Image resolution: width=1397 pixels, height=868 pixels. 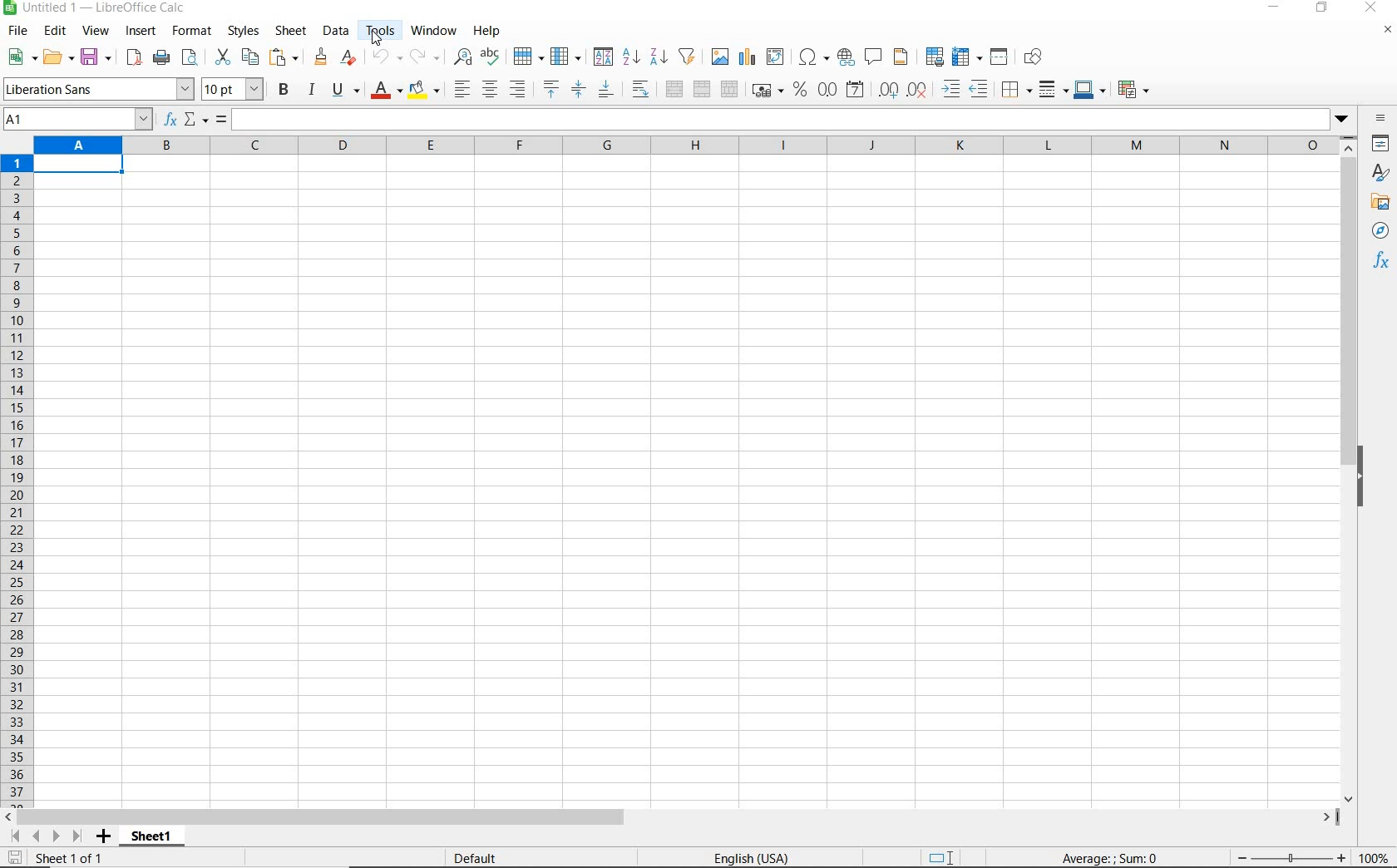 What do you see at coordinates (152, 836) in the screenshot?
I see `SHEET1` at bounding box center [152, 836].